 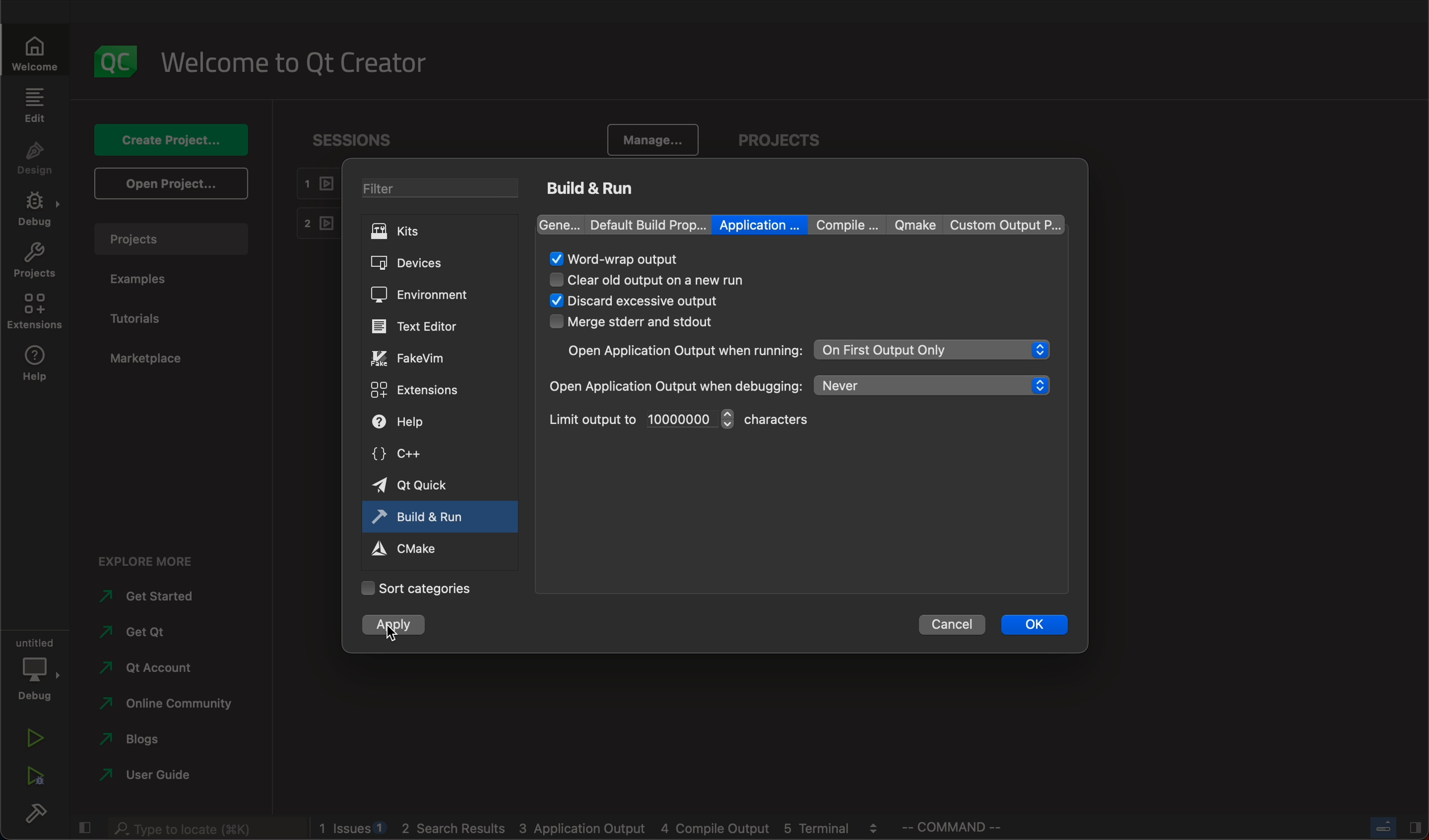 What do you see at coordinates (34, 262) in the screenshot?
I see `projects` at bounding box center [34, 262].